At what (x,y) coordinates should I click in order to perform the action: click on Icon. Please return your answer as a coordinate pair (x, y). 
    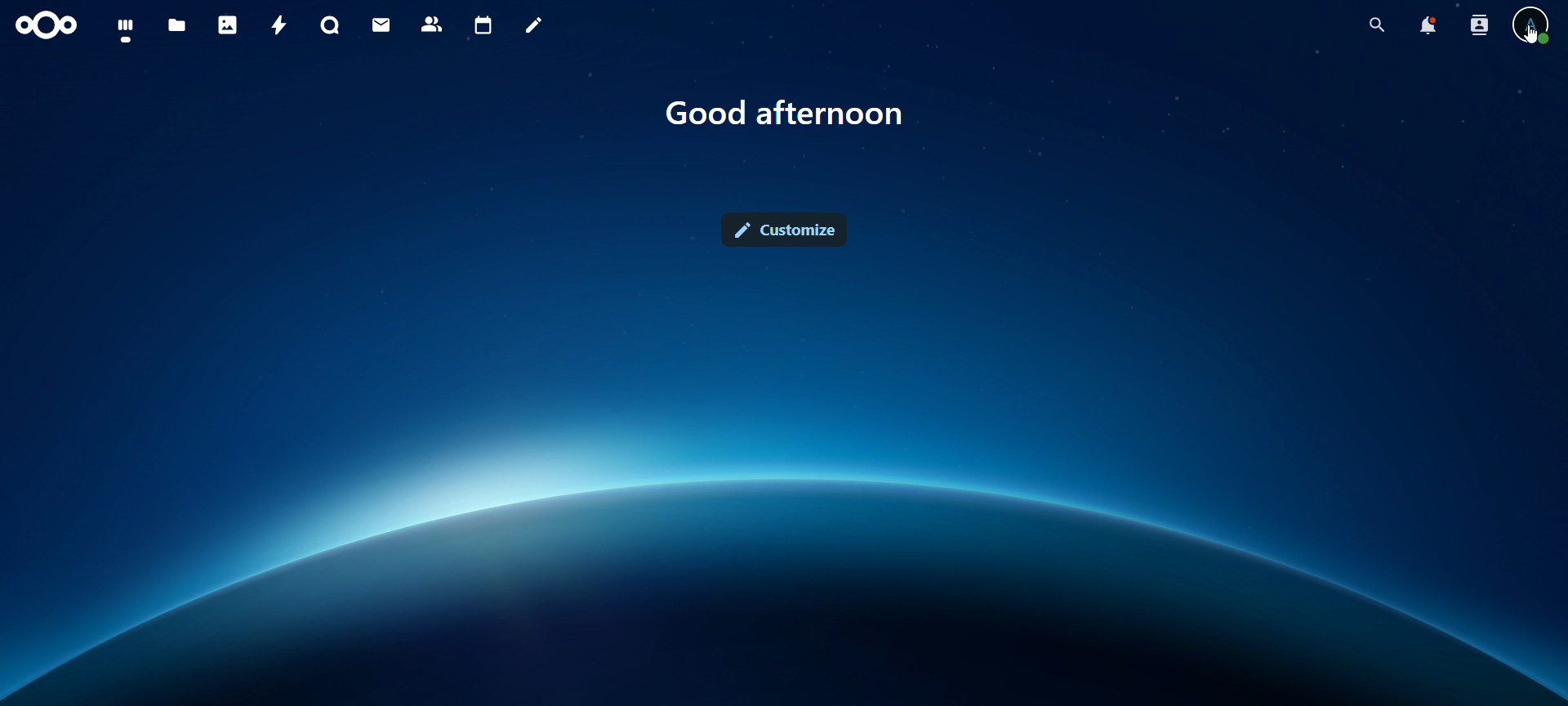
    Looking at the image, I should click on (44, 29).